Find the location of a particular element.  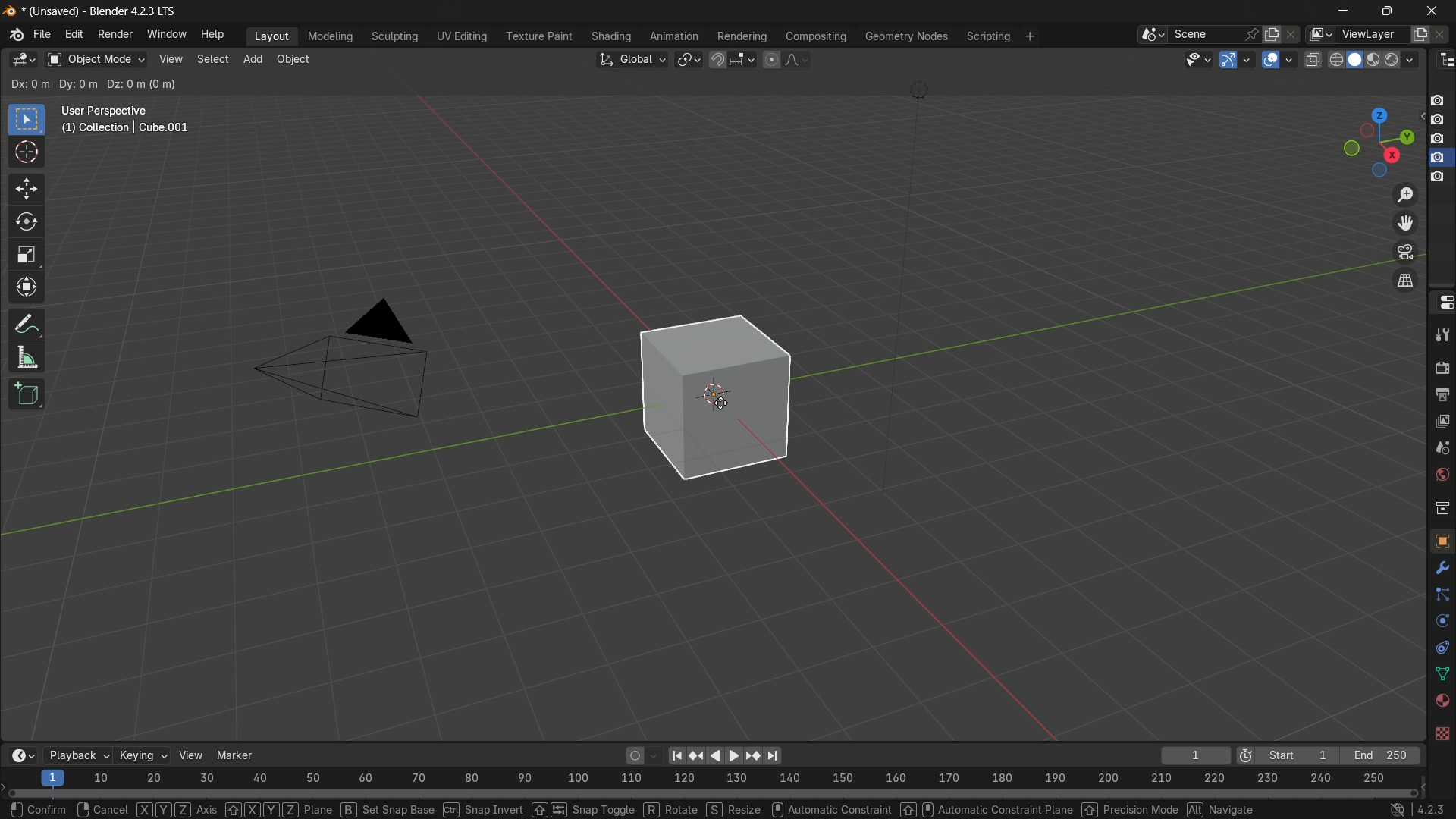

add tab is located at coordinates (256, 61).